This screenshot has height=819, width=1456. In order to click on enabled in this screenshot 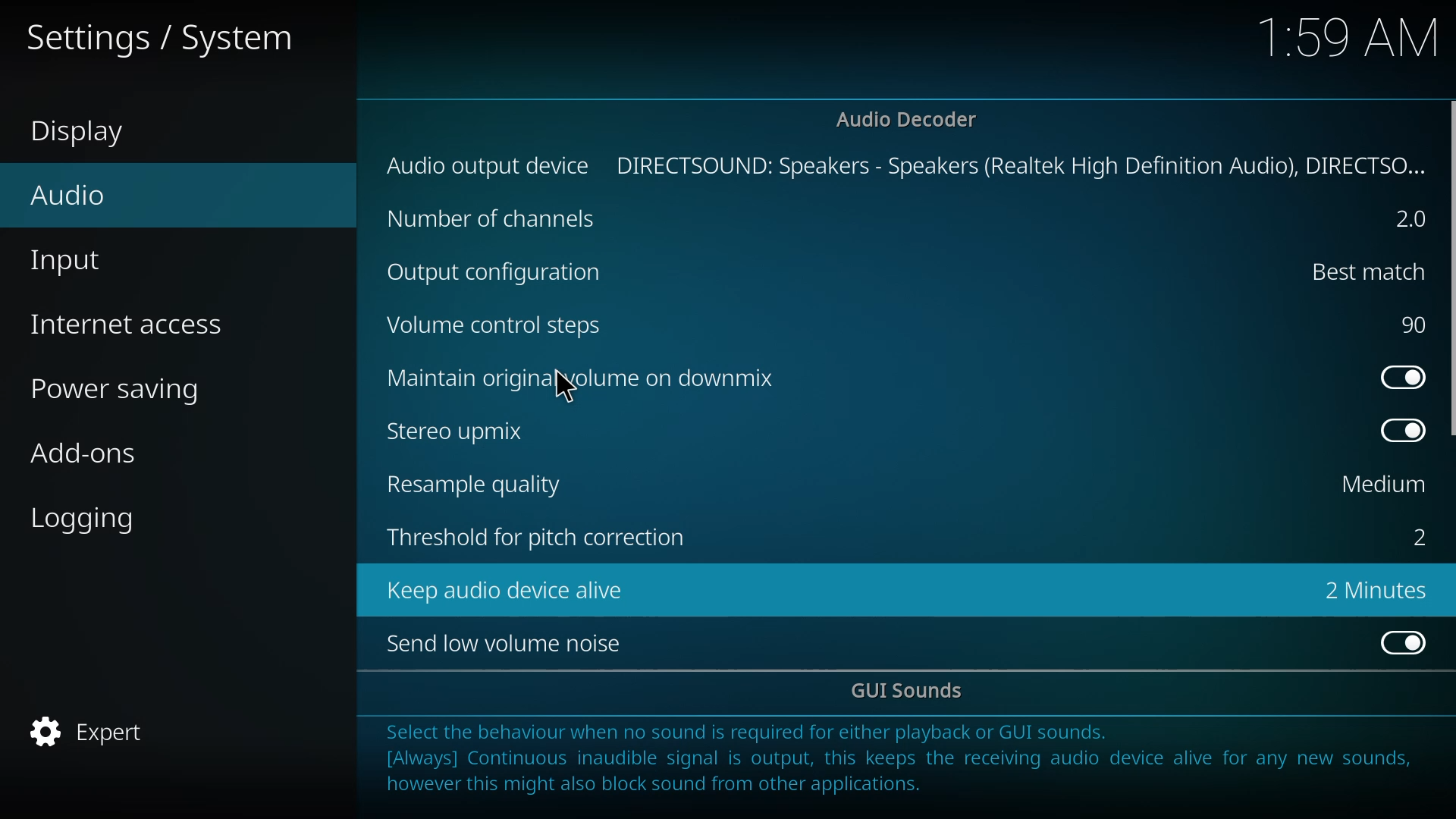, I will do `click(1397, 375)`.